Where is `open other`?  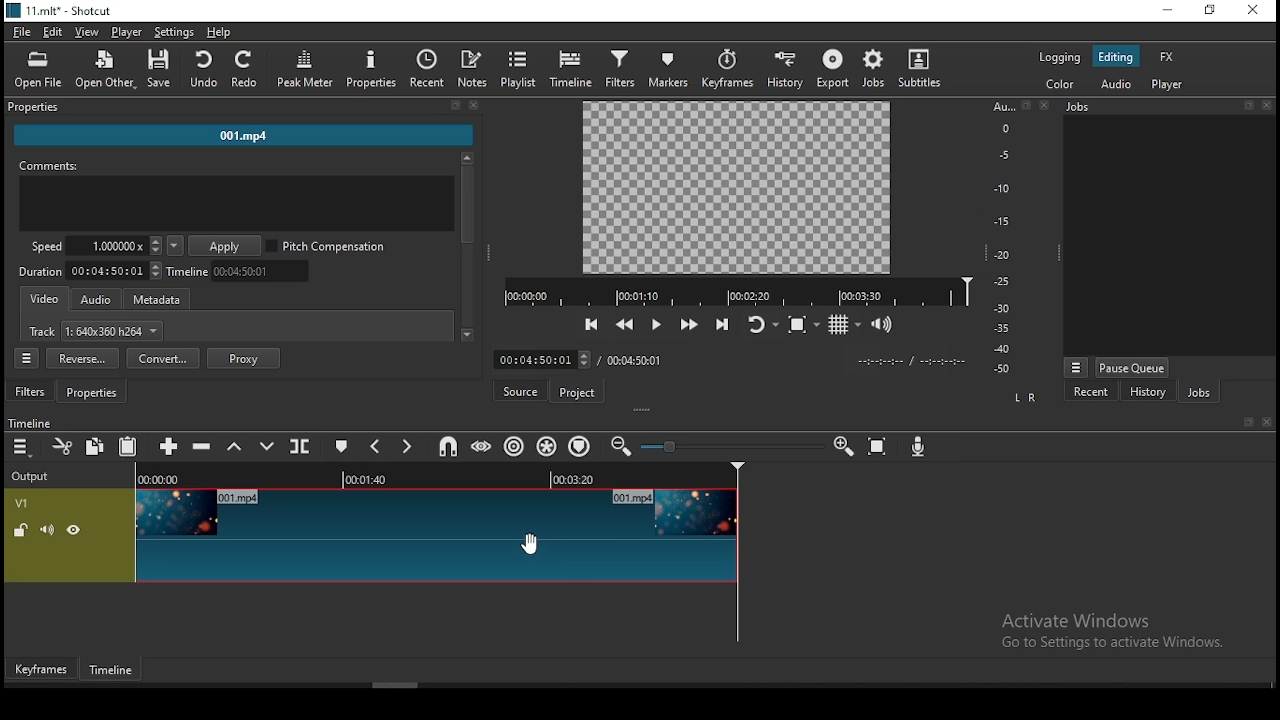 open other is located at coordinates (106, 67).